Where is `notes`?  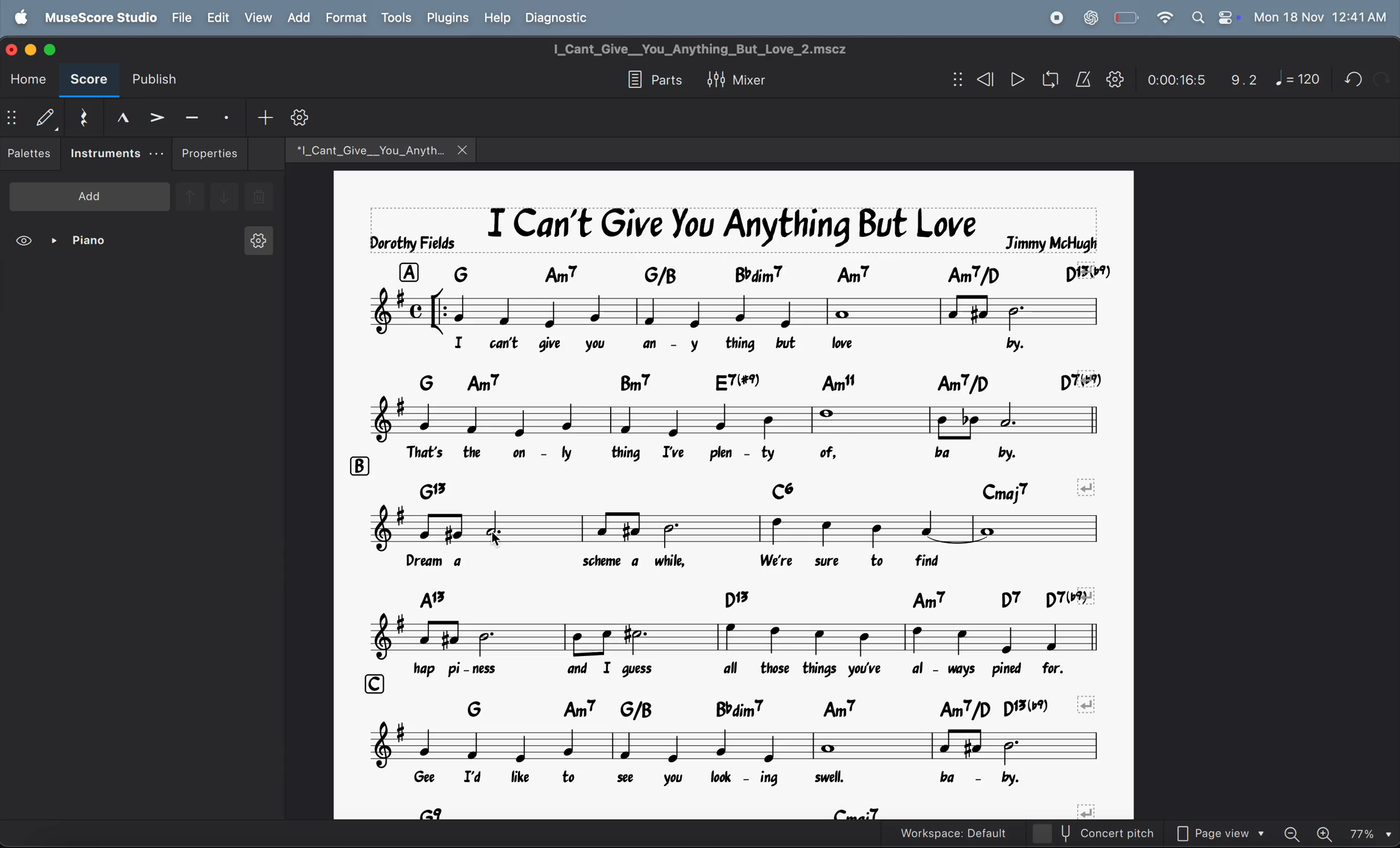
notes is located at coordinates (733, 528).